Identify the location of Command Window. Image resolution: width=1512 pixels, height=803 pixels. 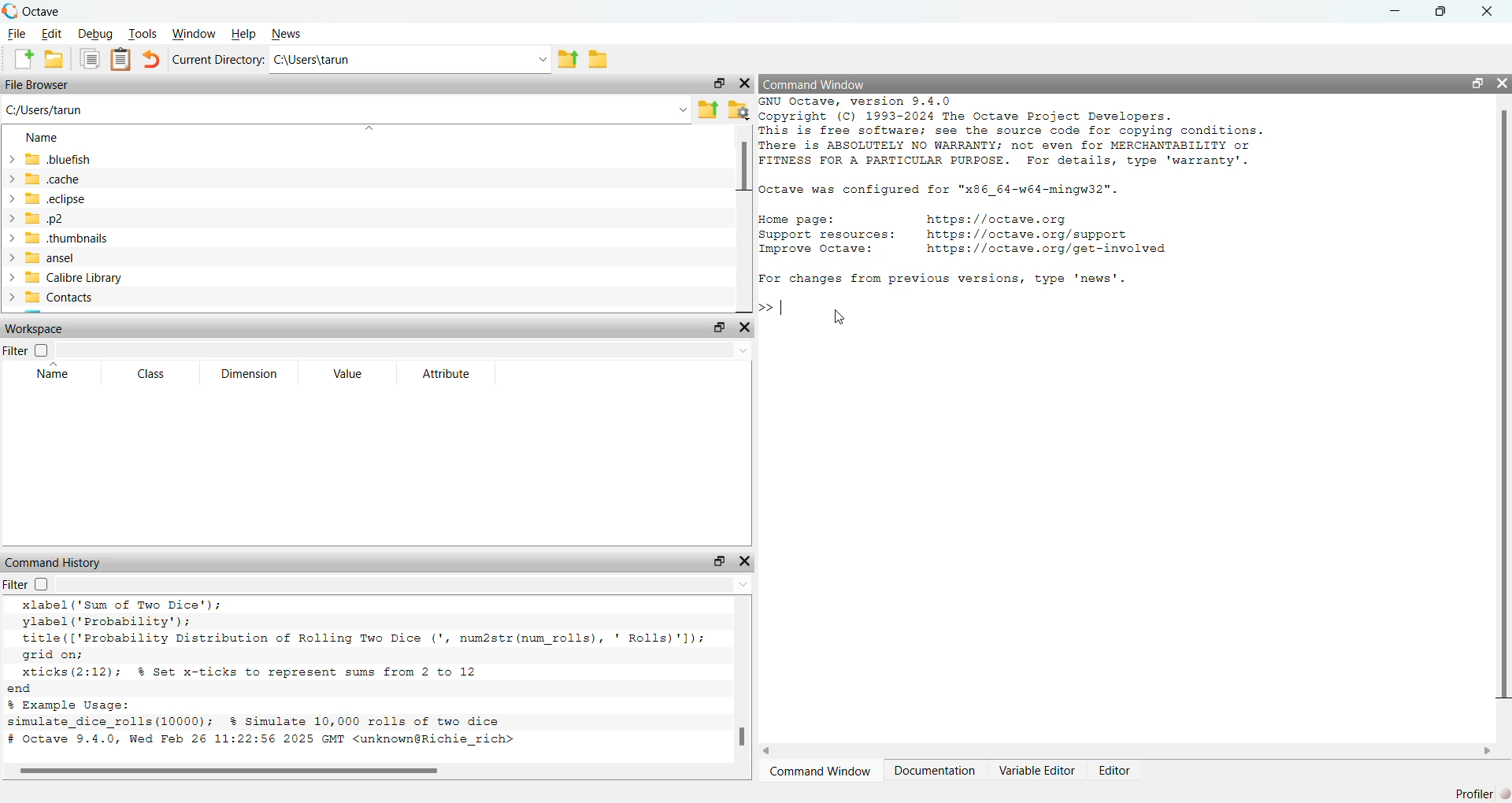
(816, 83).